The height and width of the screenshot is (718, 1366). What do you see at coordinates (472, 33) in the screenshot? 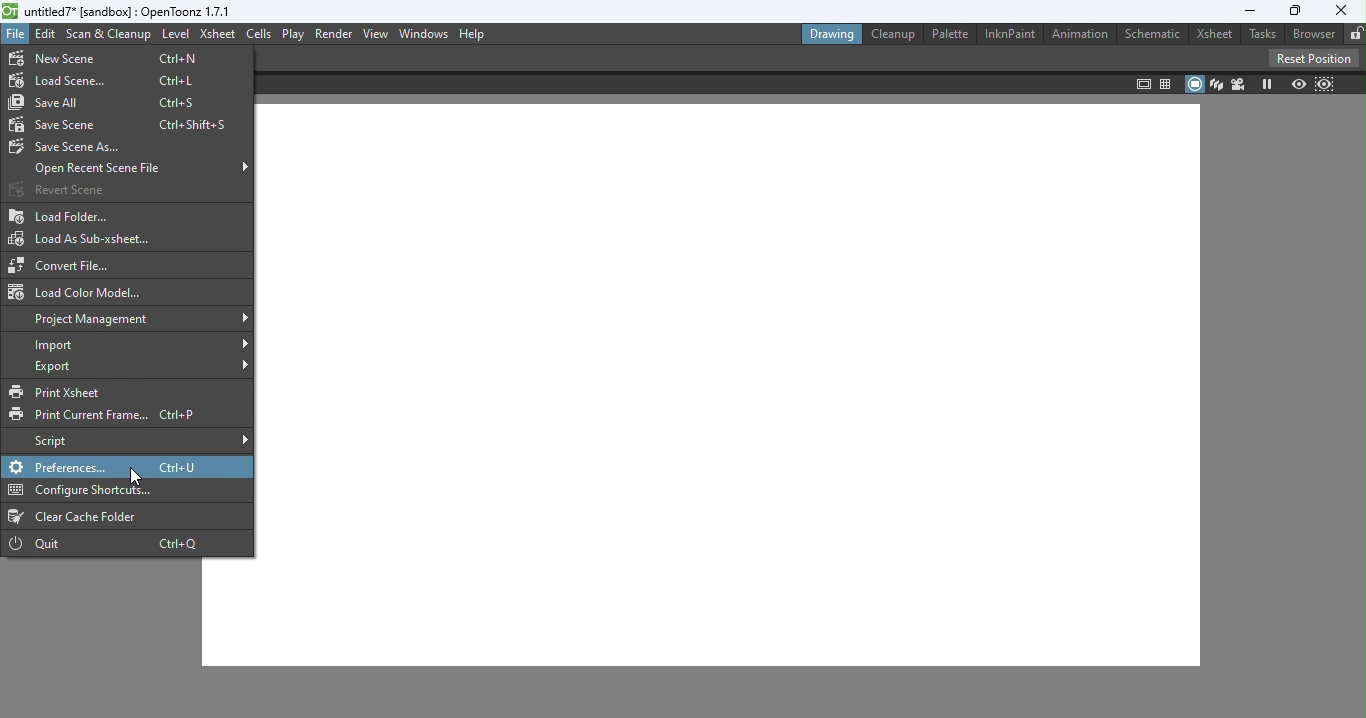
I see `Help` at bounding box center [472, 33].